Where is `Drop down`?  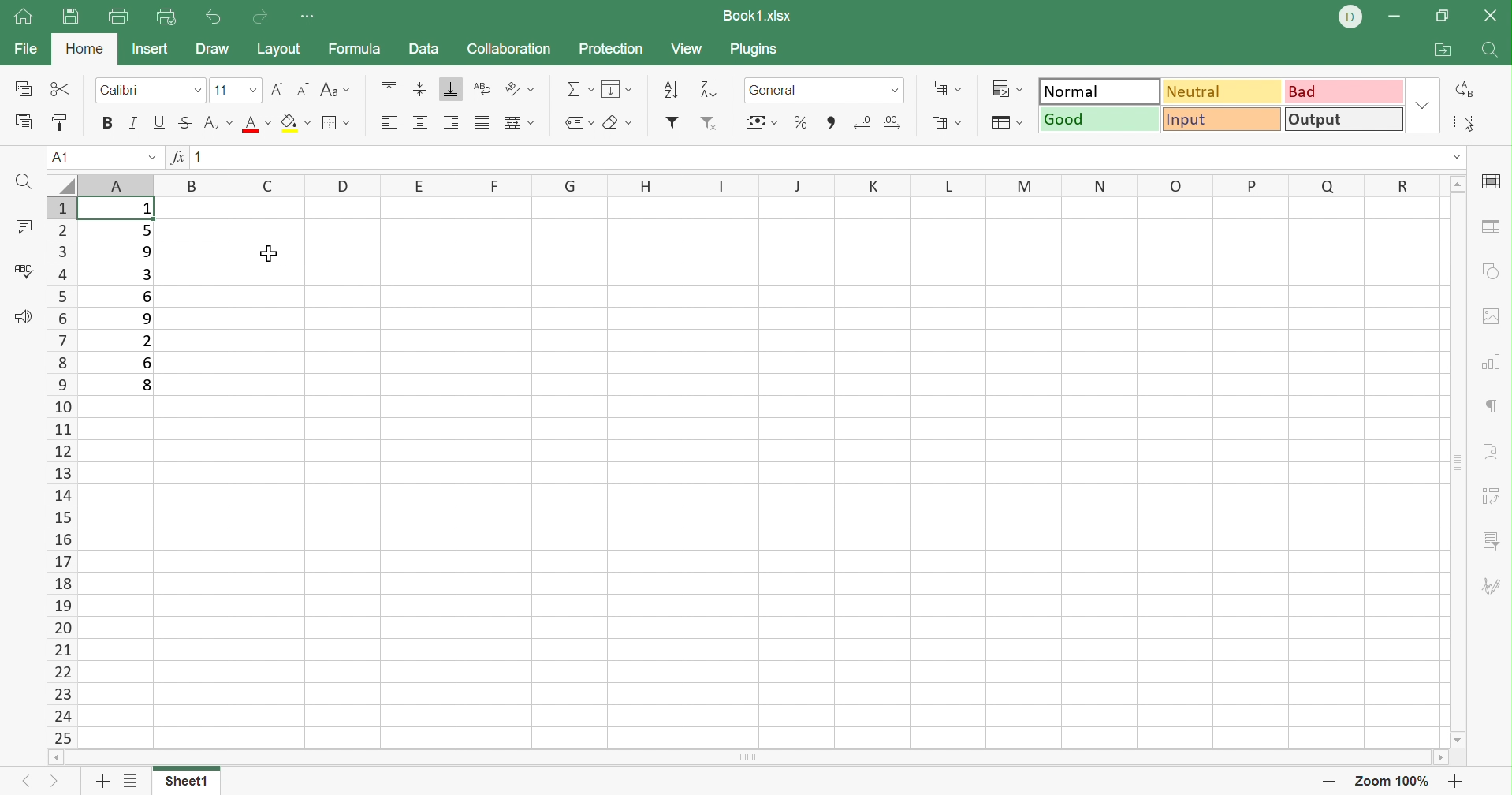
Drop down is located at coordinates (897, 90).